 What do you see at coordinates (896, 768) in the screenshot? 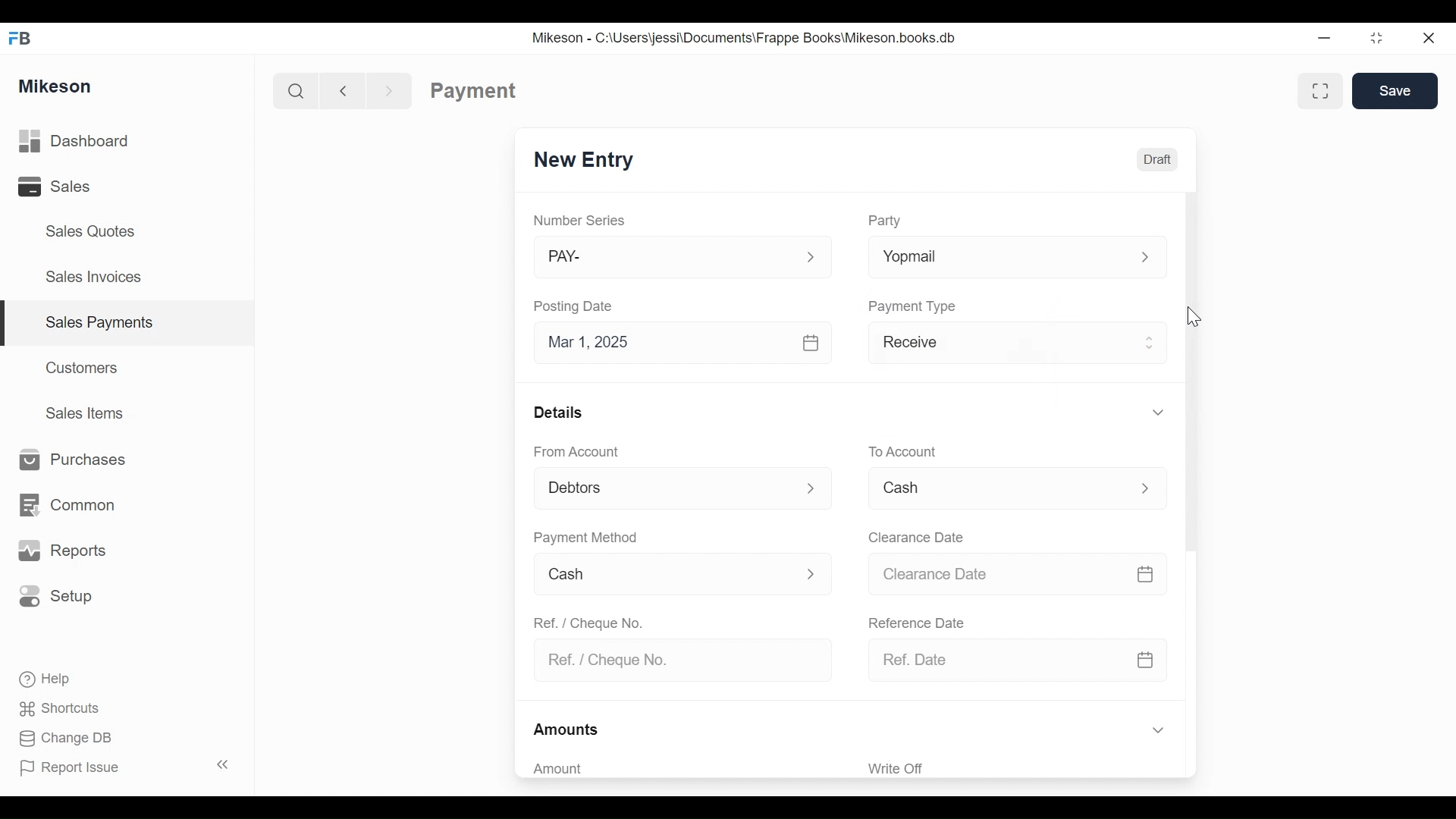
I see `Write Off` at bounding box center [896, 768].